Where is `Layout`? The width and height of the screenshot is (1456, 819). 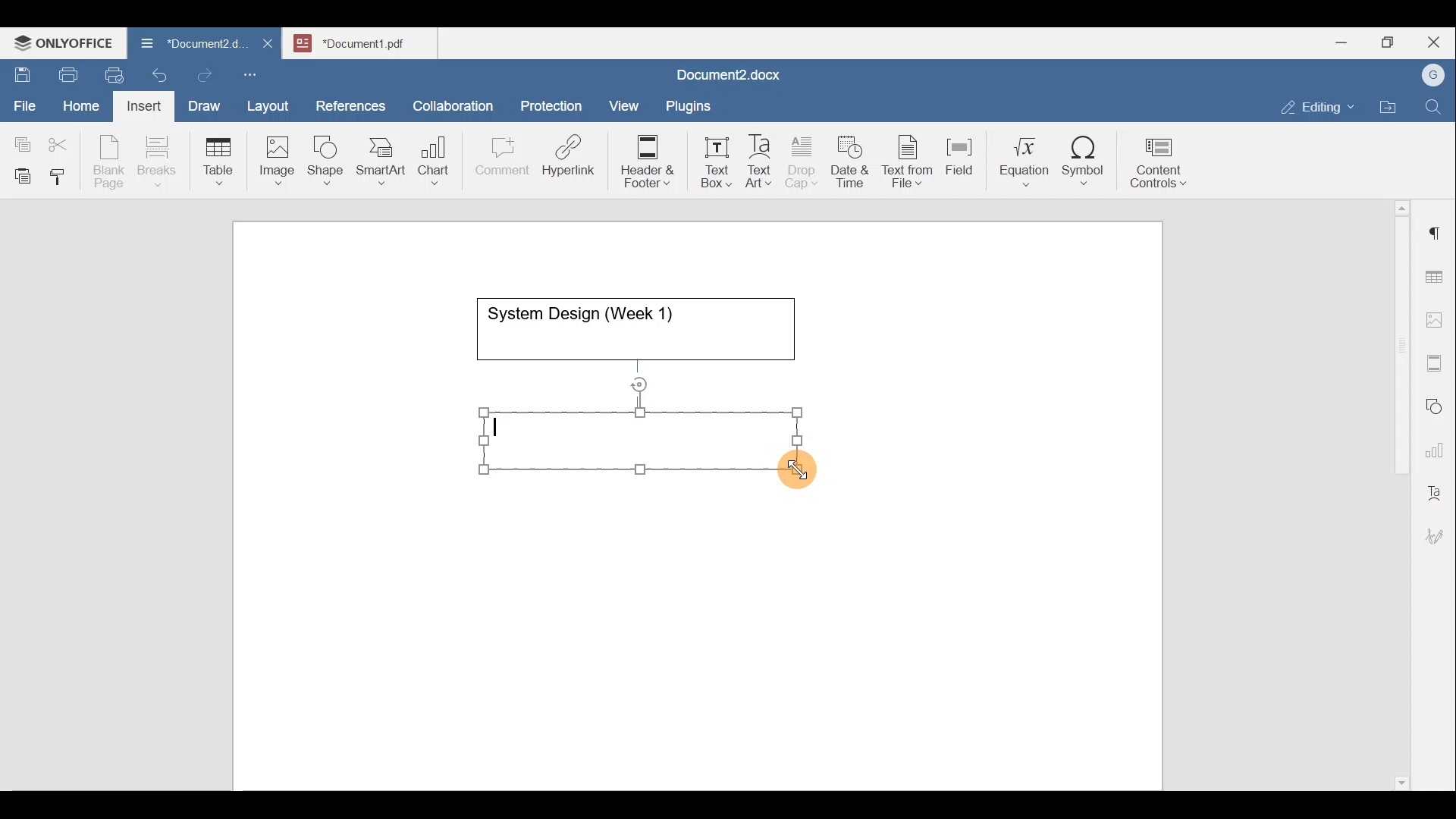 Layout is located at coordinates (271, 103).